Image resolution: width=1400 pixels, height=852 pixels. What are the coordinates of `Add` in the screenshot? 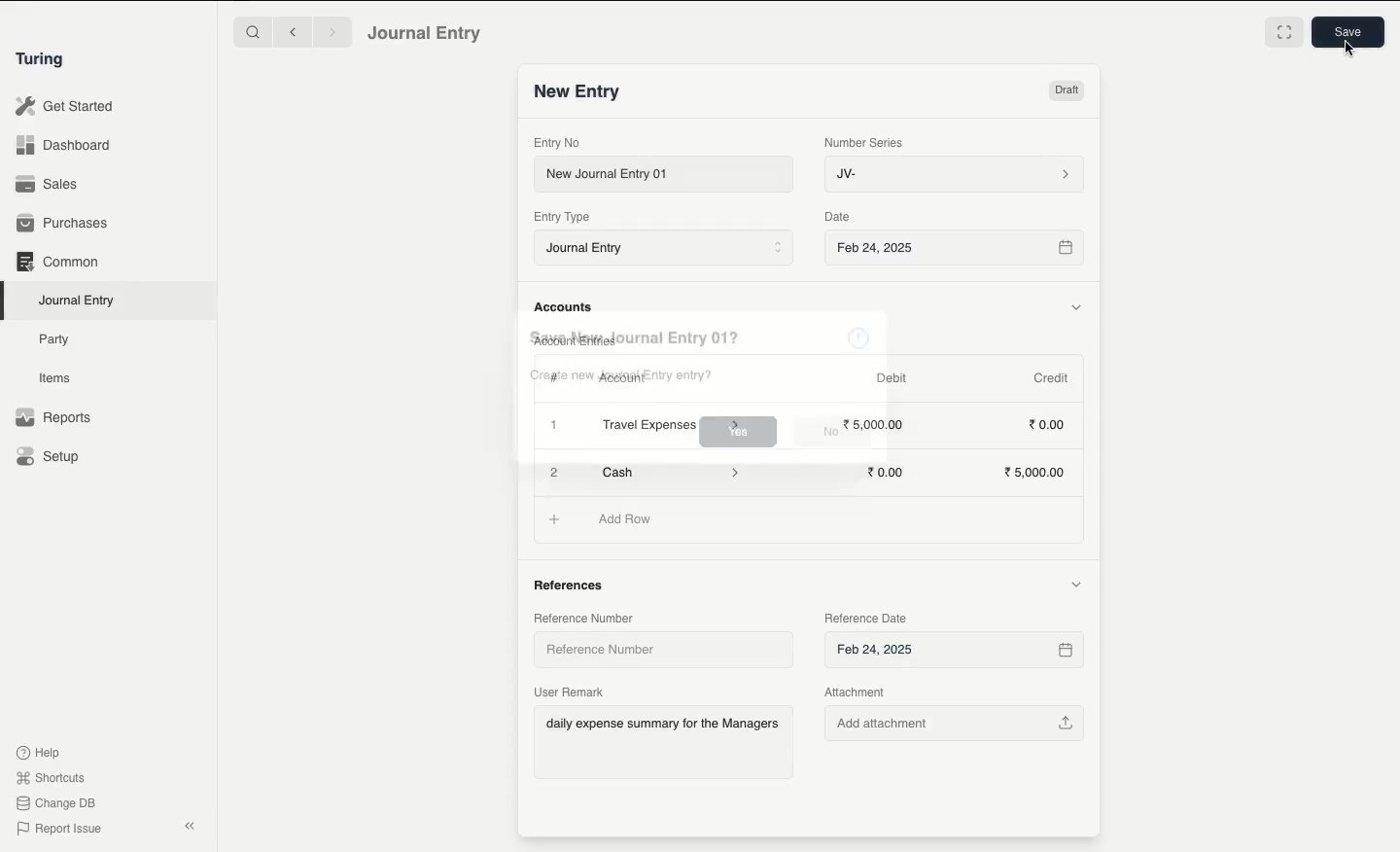 It's located at (553, 470).